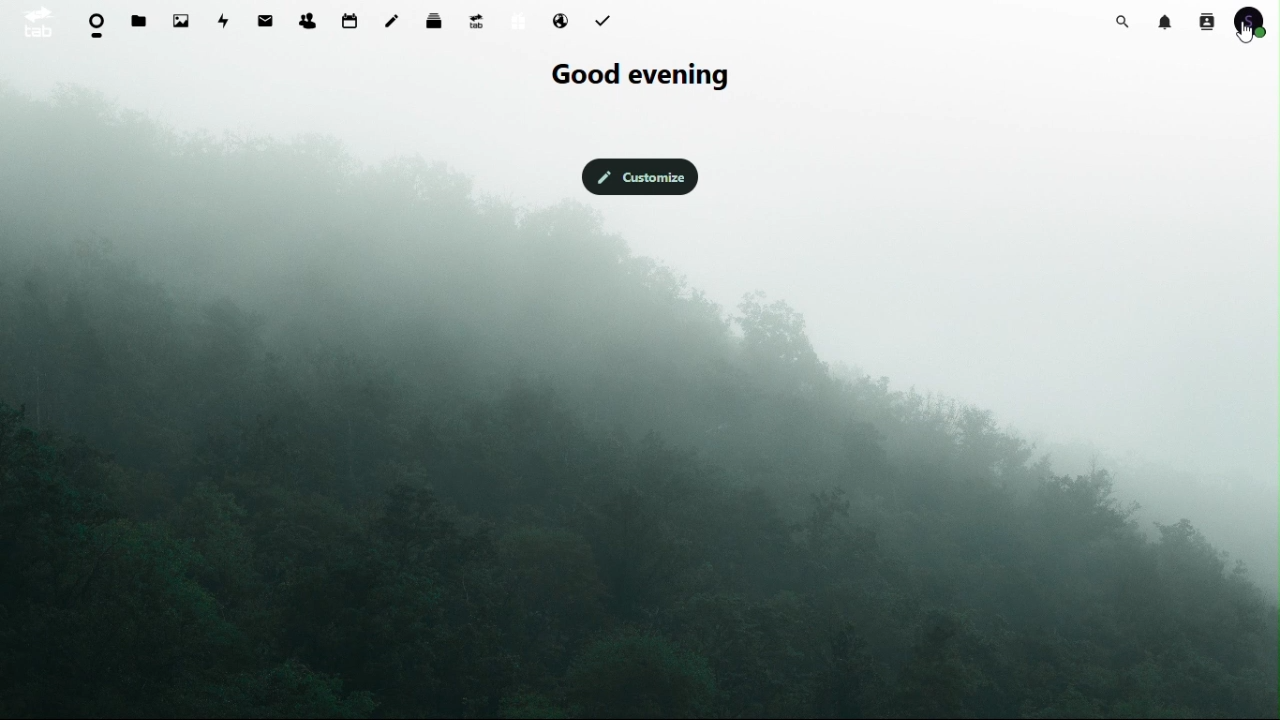 This screenshot has width=1280, height=720. I want to click on Cursor, so click(1248, 35).